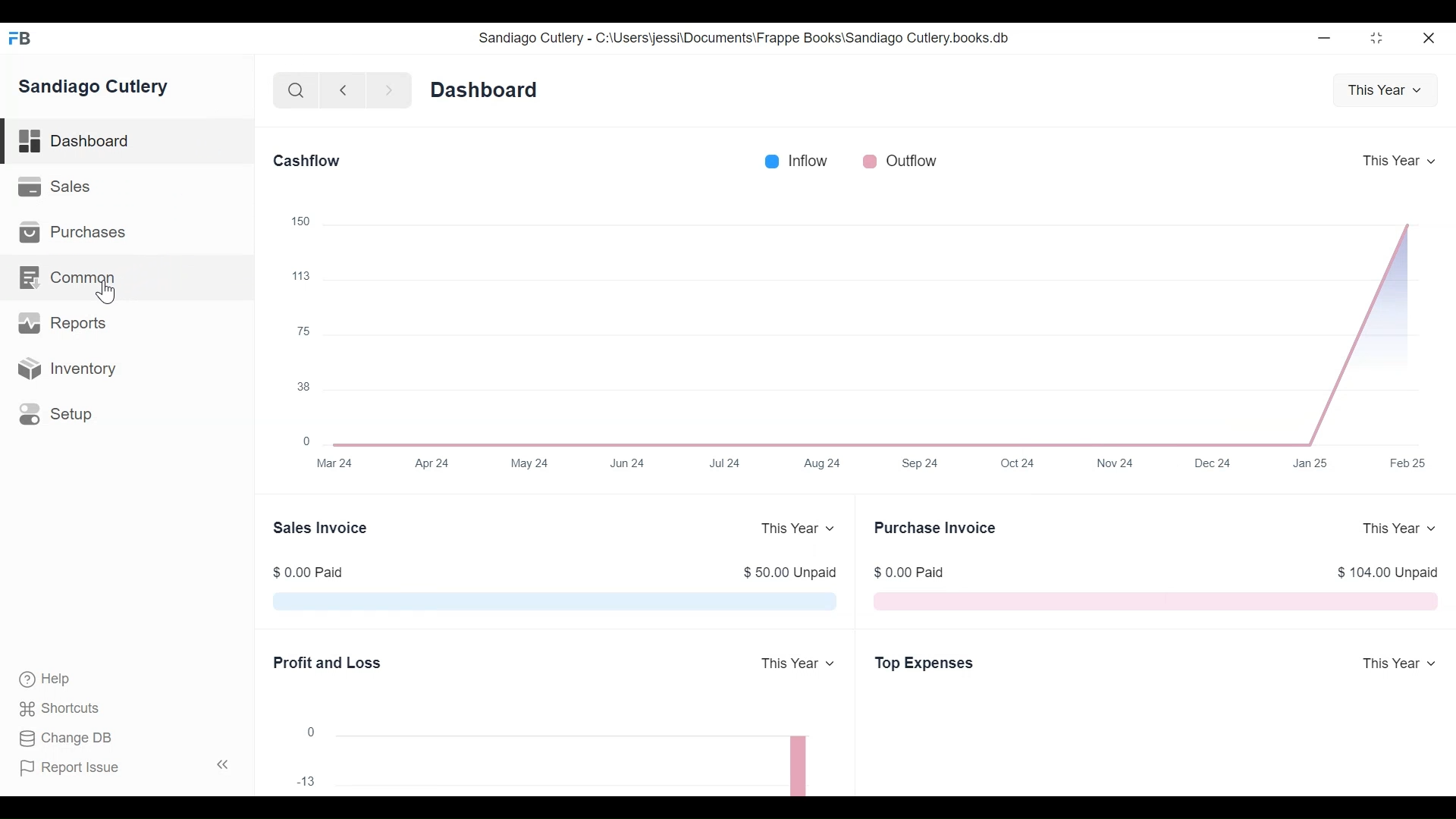 This screenshot has width=1456, height=819. What do you see at coordinates (55, 708) in the screenshot?
I see `Shortcuts` at bounding box center [55, 708].